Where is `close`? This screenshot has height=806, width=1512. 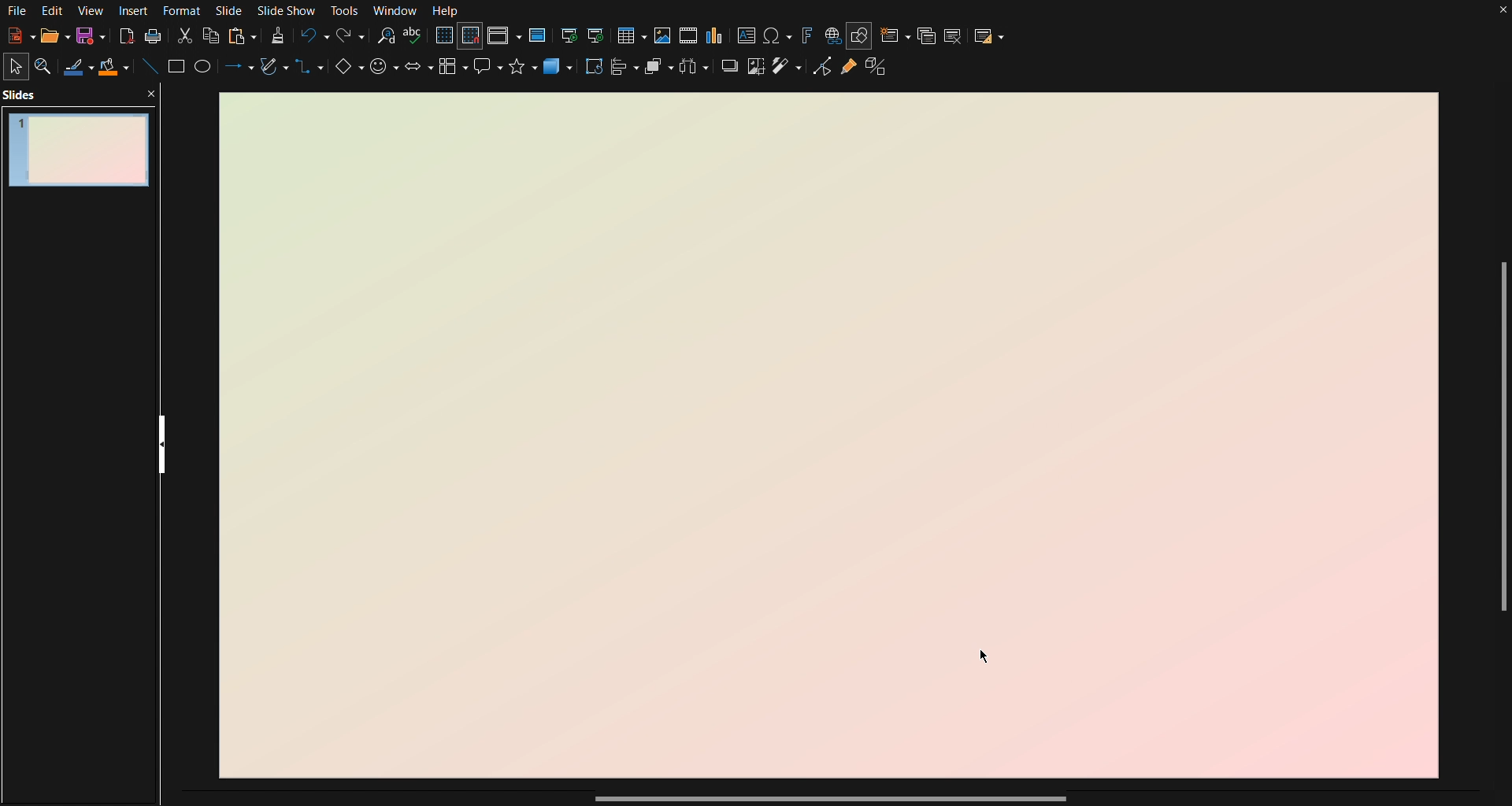 close is located at coordinates (152, 93).